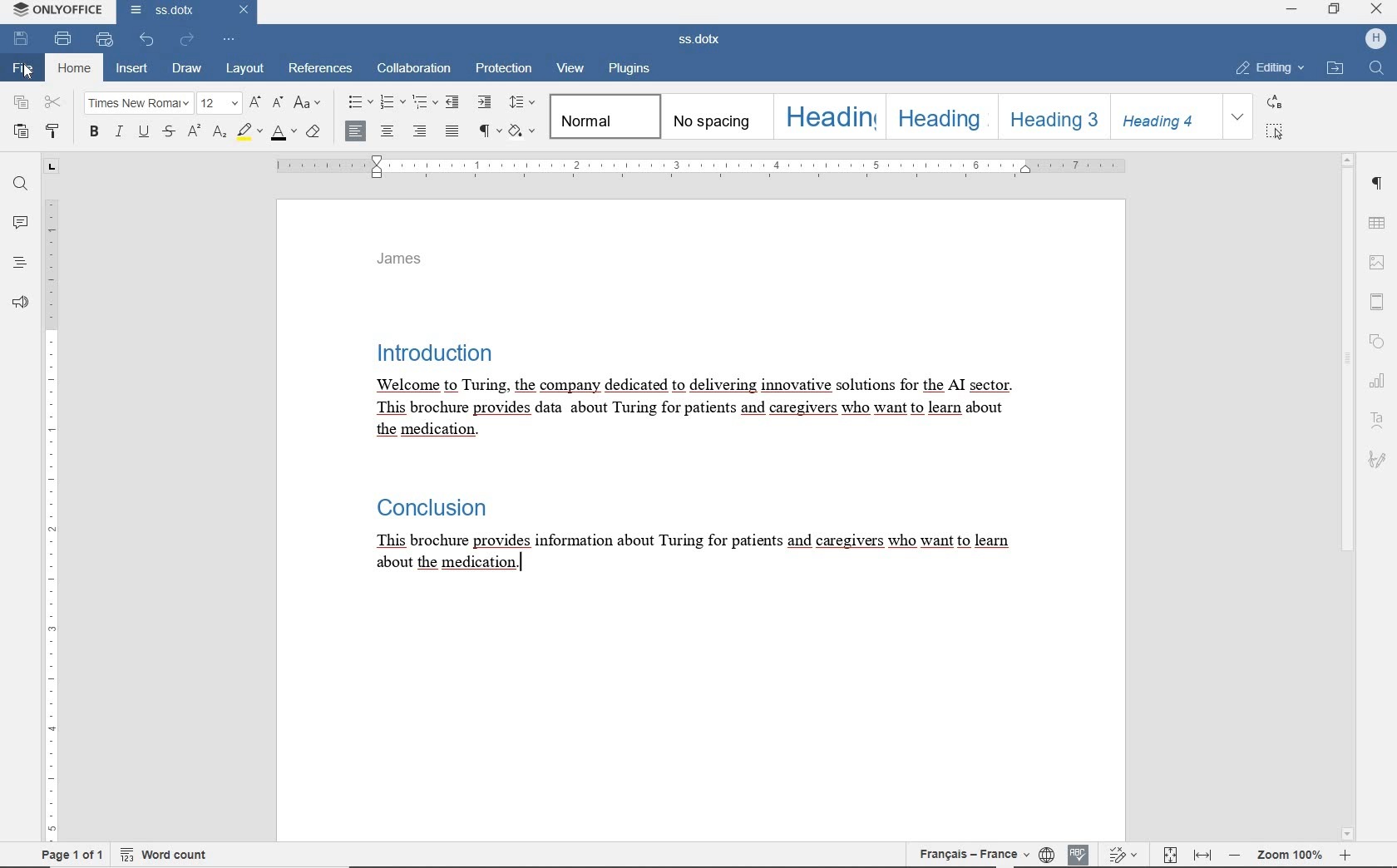  What do you see at coordinates (702, 40) in the screenshot?
I see `DOCUMENT NAME` at bounding box center [702, 40].